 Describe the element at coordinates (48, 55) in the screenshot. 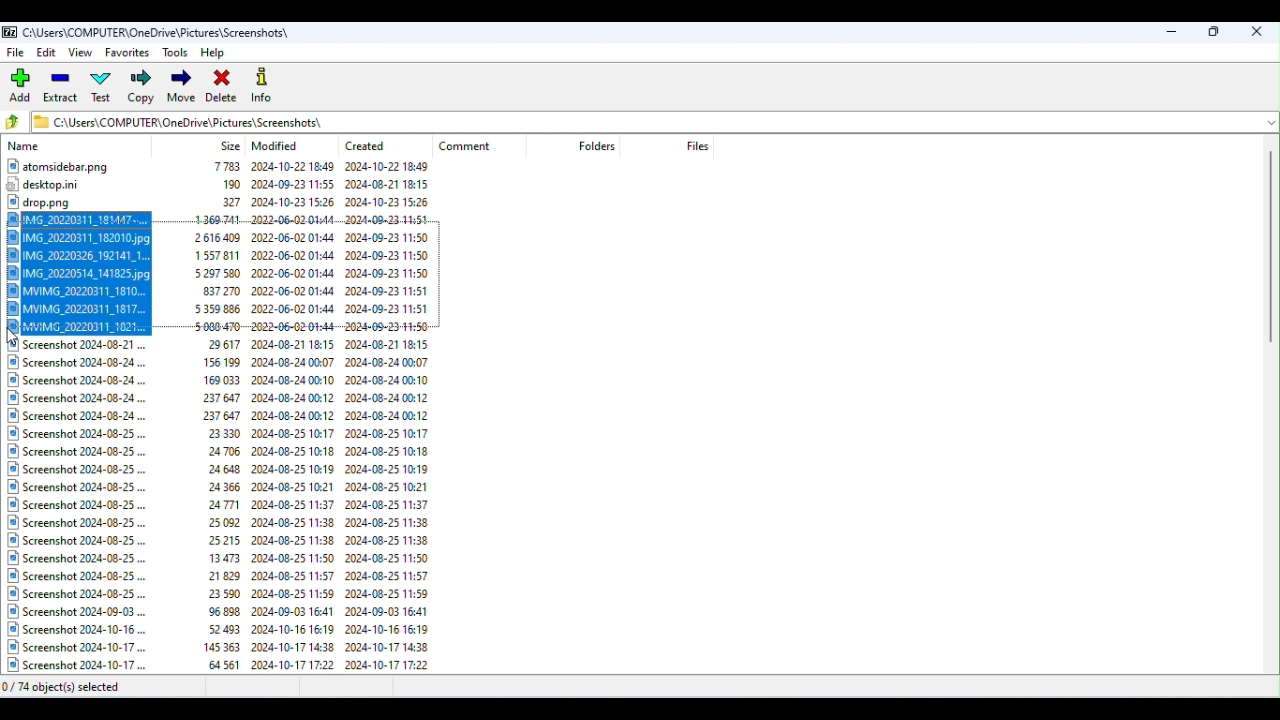

I see `Edit` at that location.